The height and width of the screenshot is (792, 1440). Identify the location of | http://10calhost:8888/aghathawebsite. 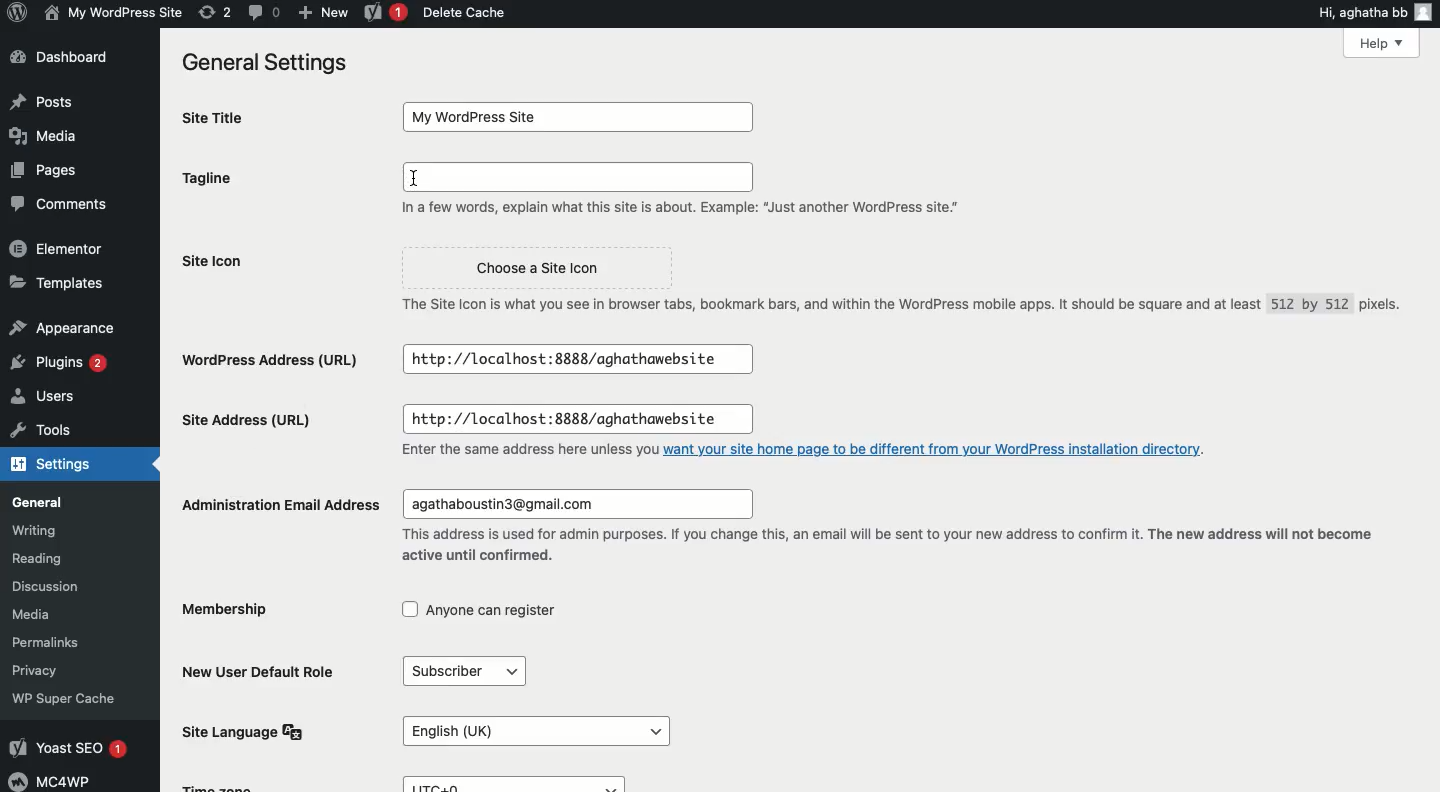
(575, 357).